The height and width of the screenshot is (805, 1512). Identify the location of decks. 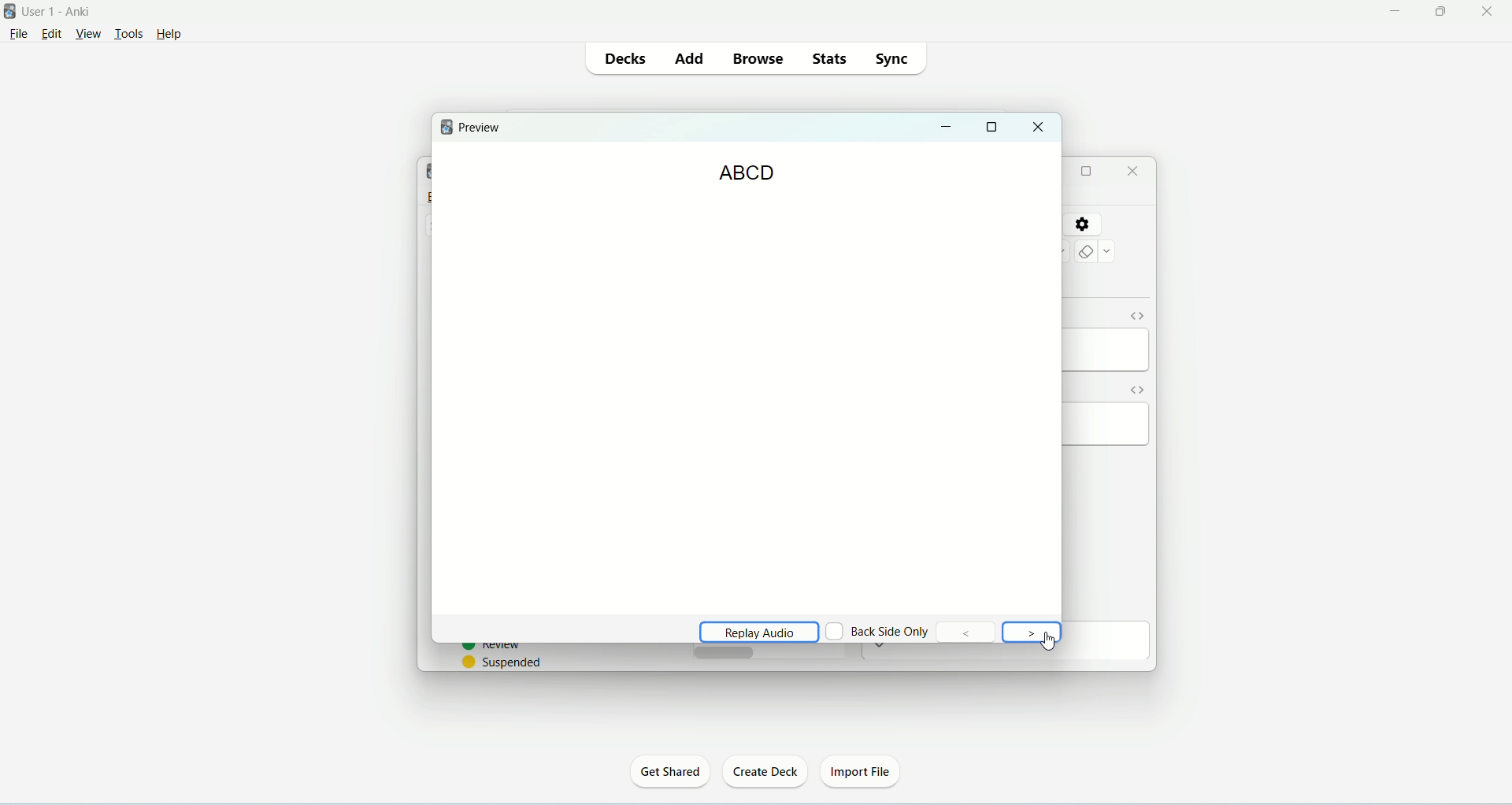
(630, 59).